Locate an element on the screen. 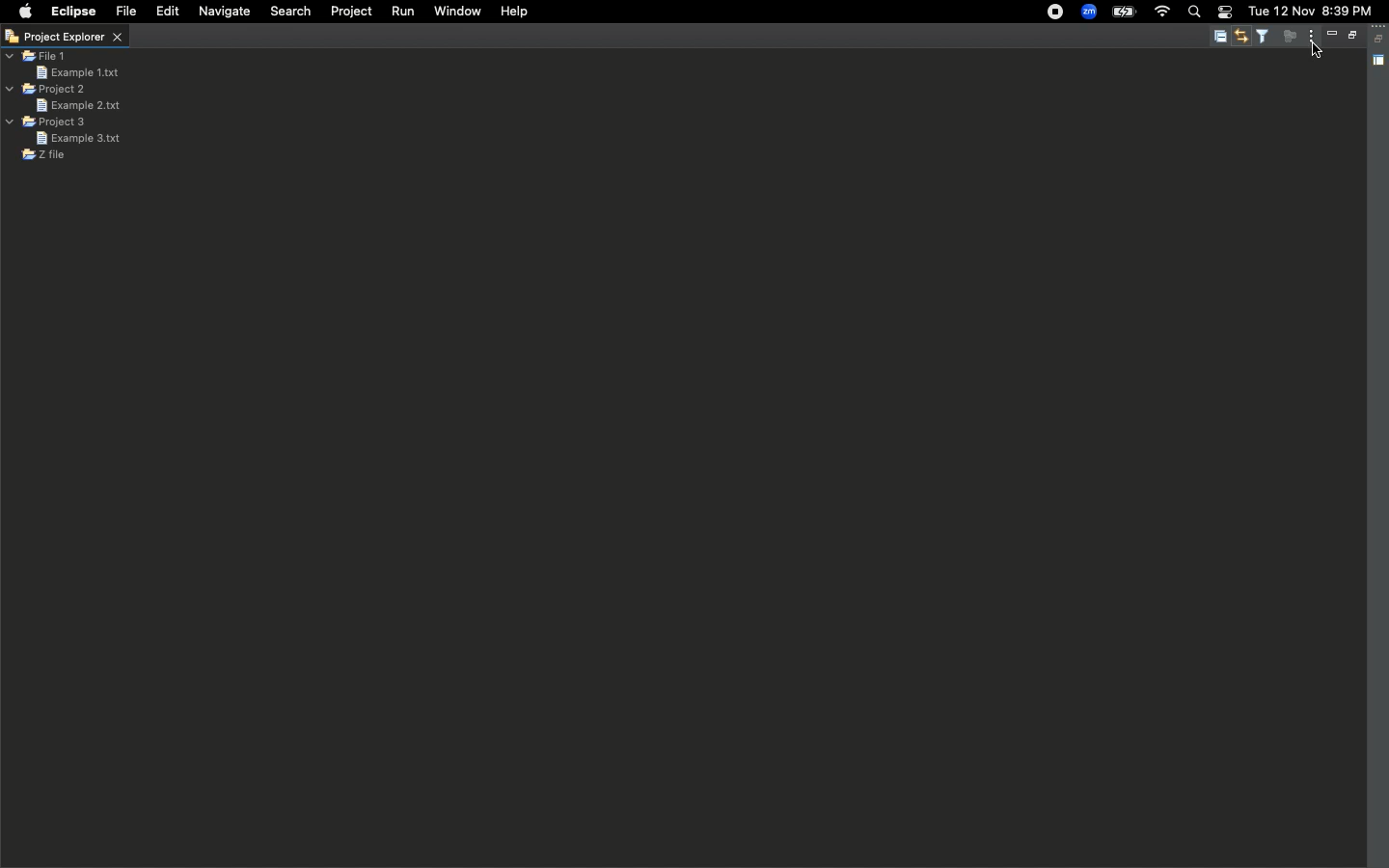  Search is located at coordinates (1194, 14).